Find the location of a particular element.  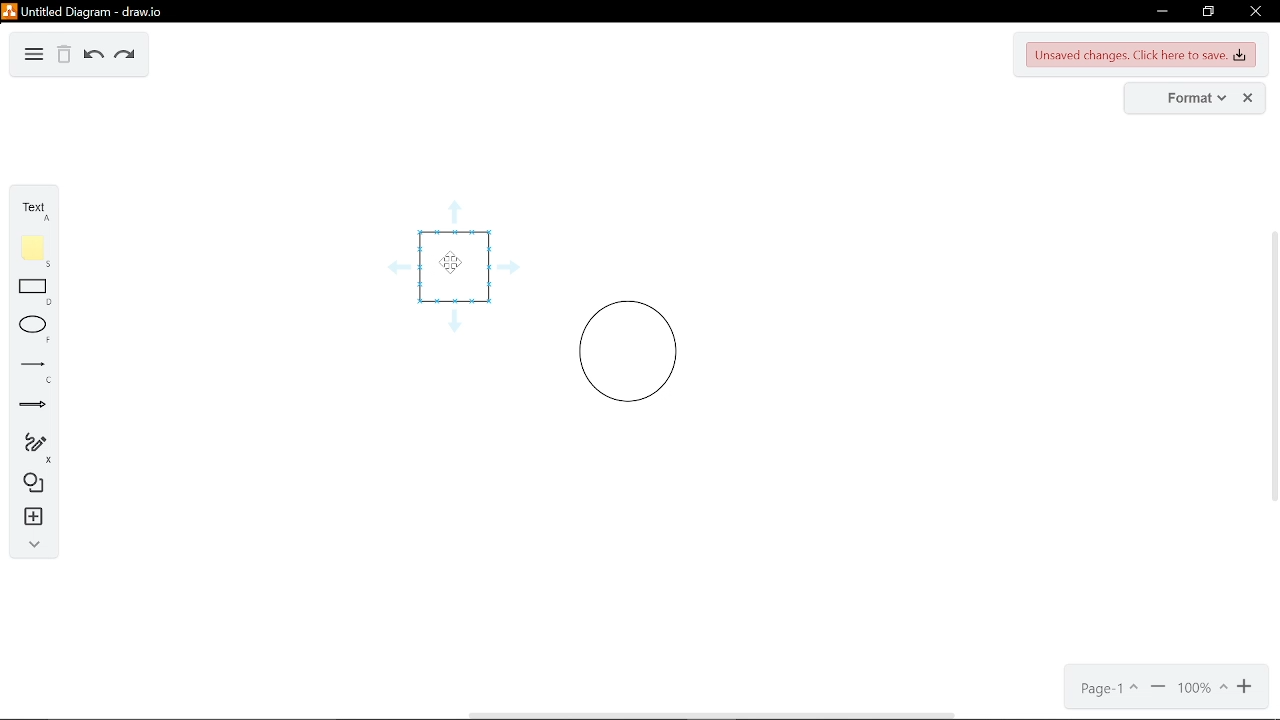

zoom out is located at coordinates (1158, 689).